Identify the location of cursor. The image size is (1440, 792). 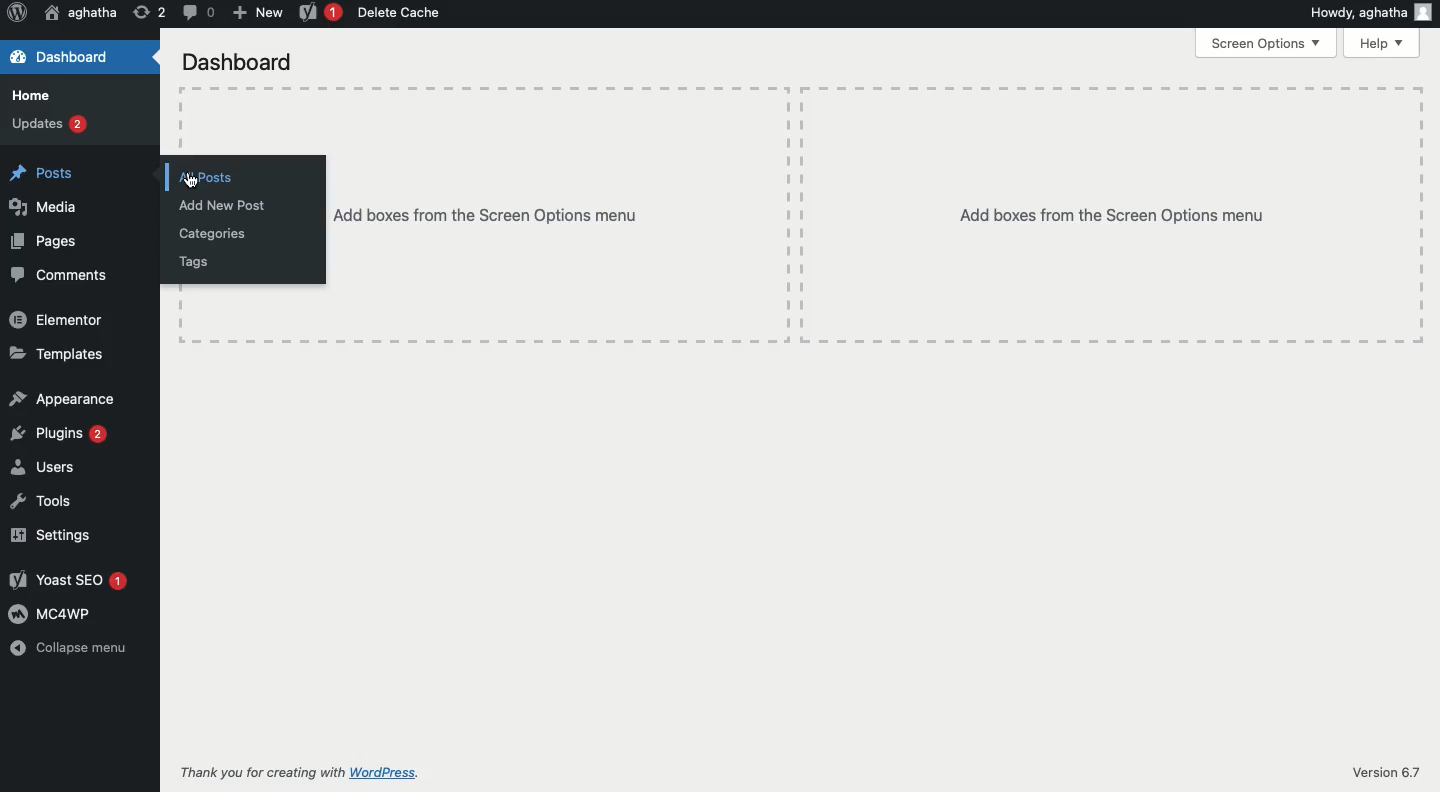
(188, 183).